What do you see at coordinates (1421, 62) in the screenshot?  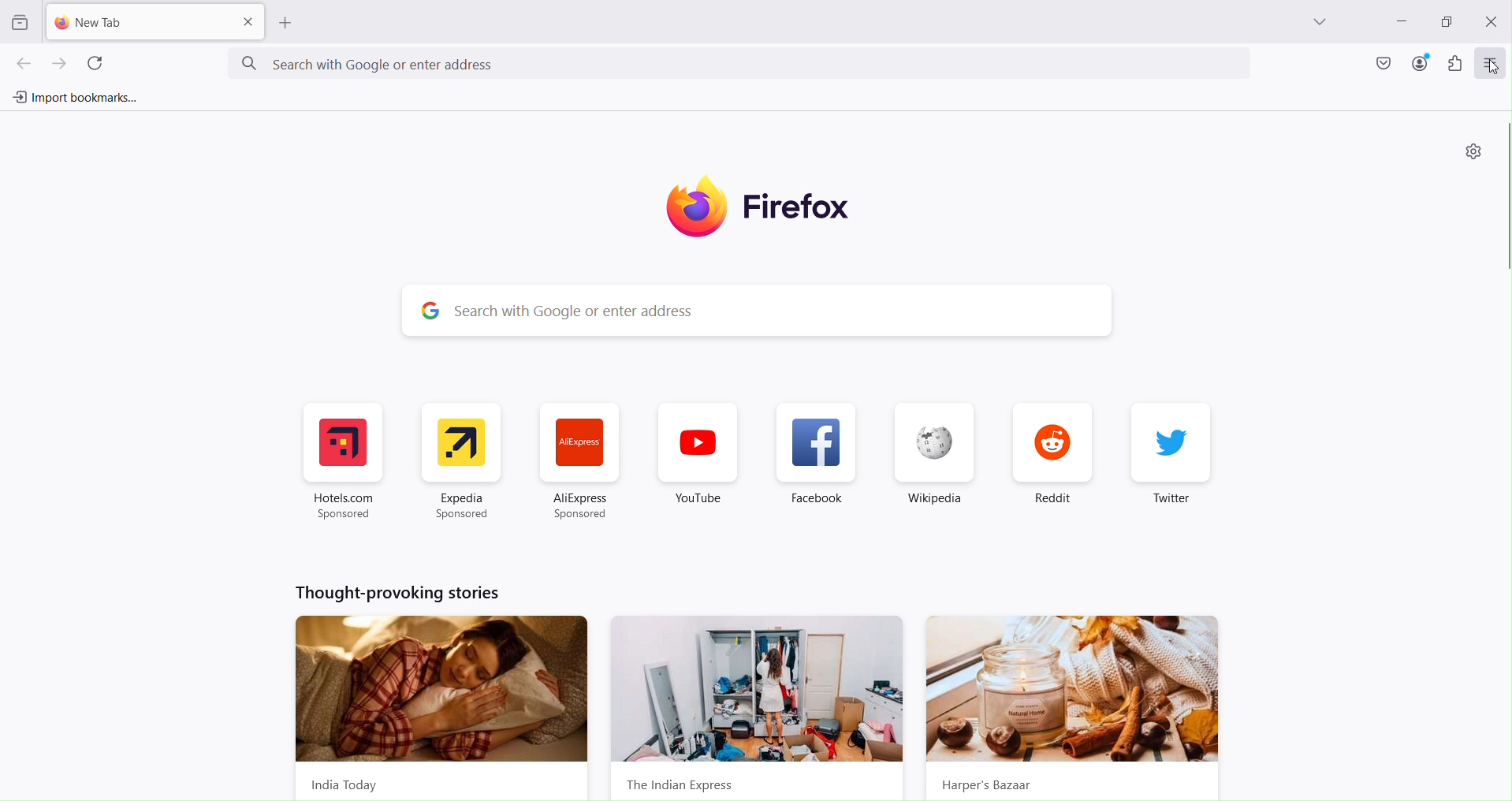 I see `Account` at bounding box center [1421, 62].